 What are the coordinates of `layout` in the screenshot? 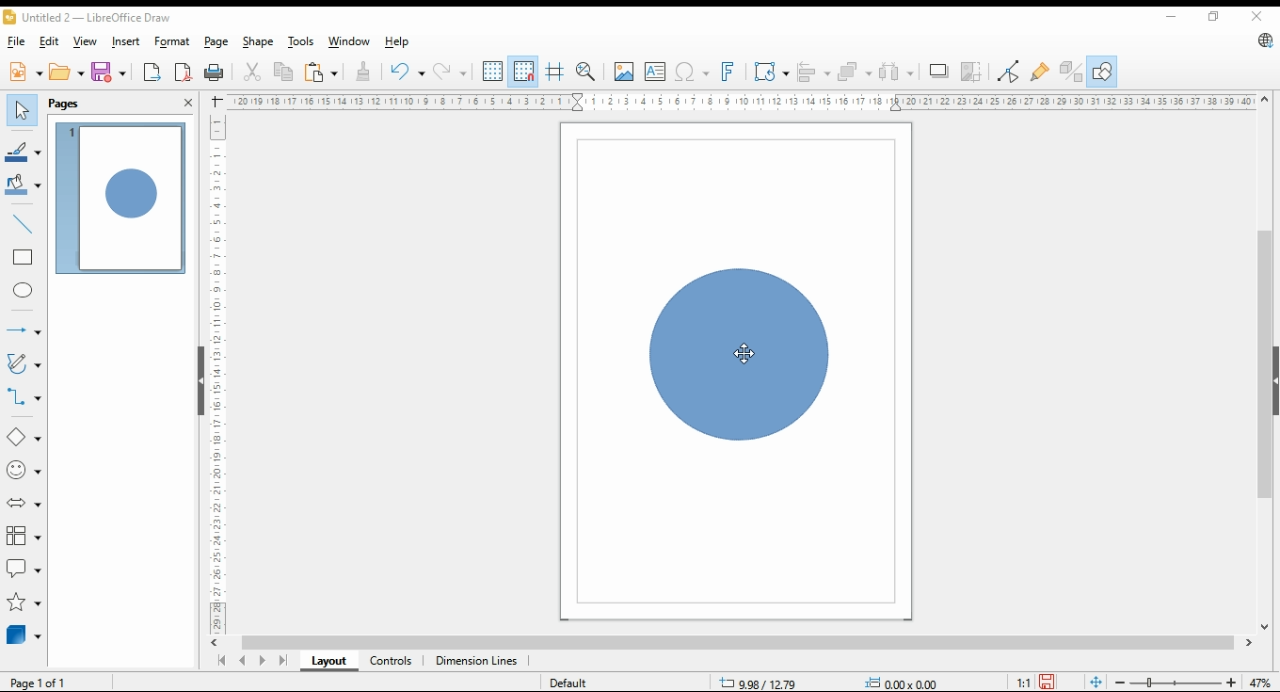 It's located at (328, 661).